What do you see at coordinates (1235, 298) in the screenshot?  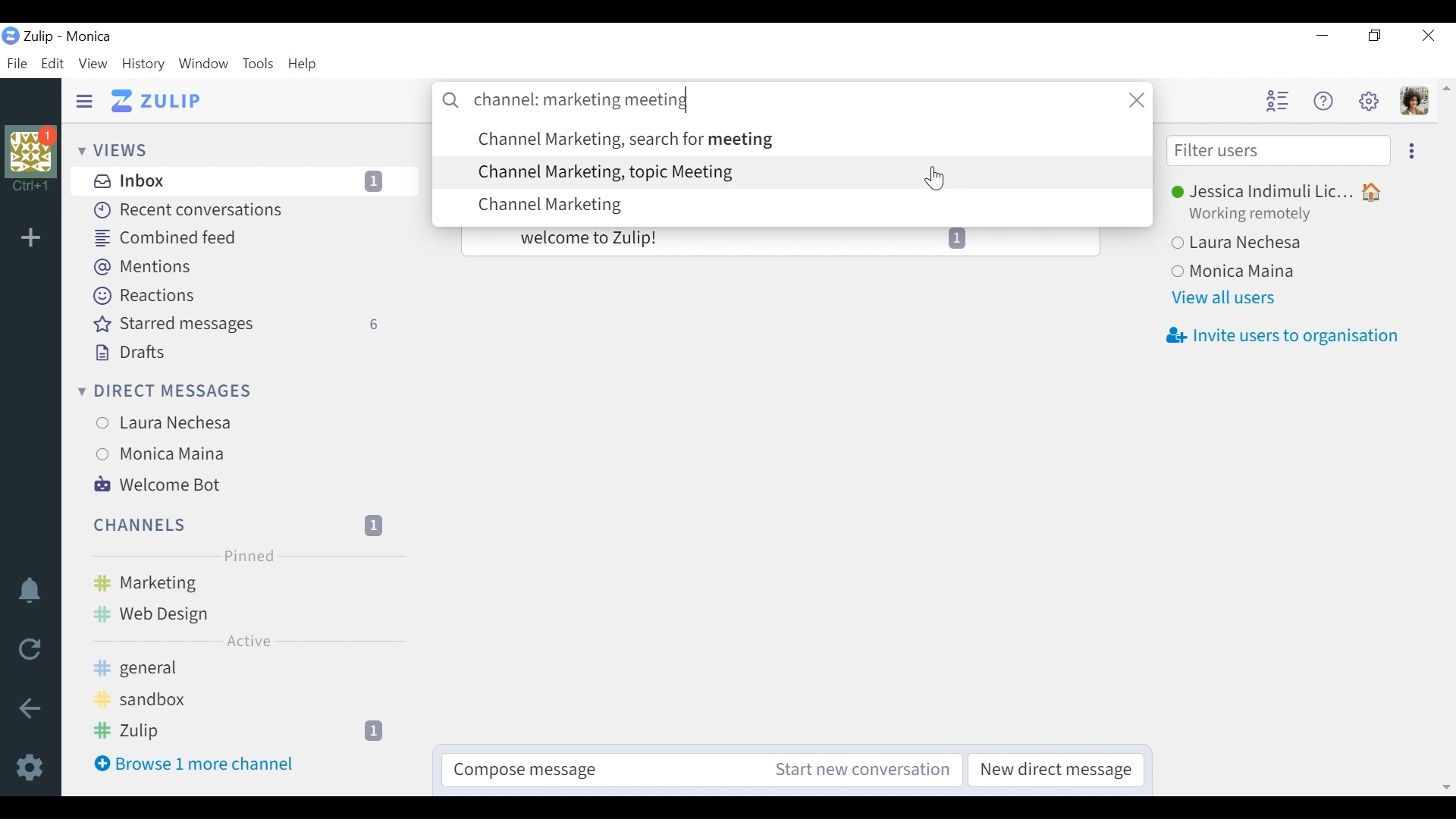 I see `View all users` at bounding box center [1235, 298].